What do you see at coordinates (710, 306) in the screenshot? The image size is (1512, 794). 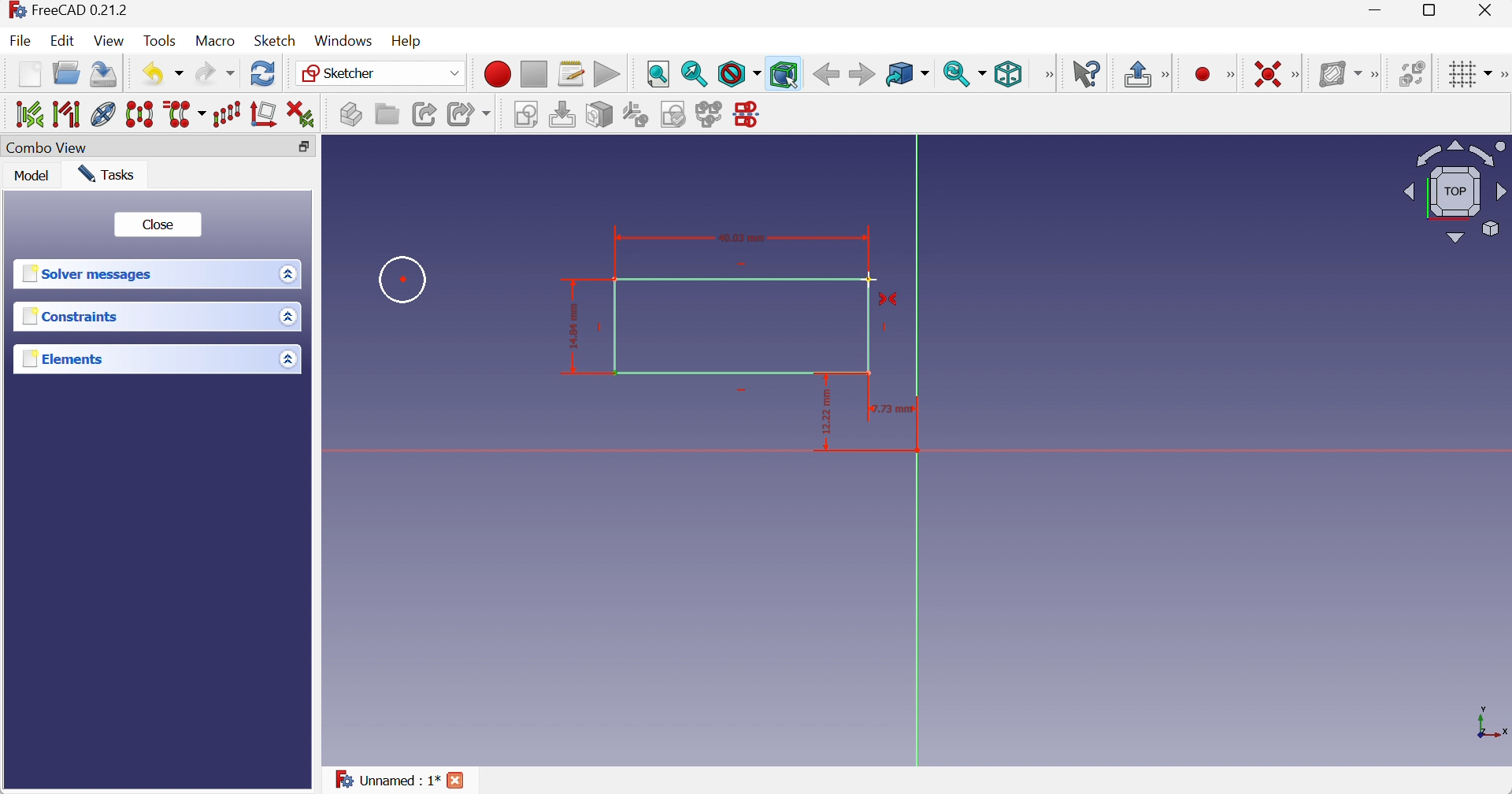 I see `Rectangle with dimensions` at bounding box center [710, 306].